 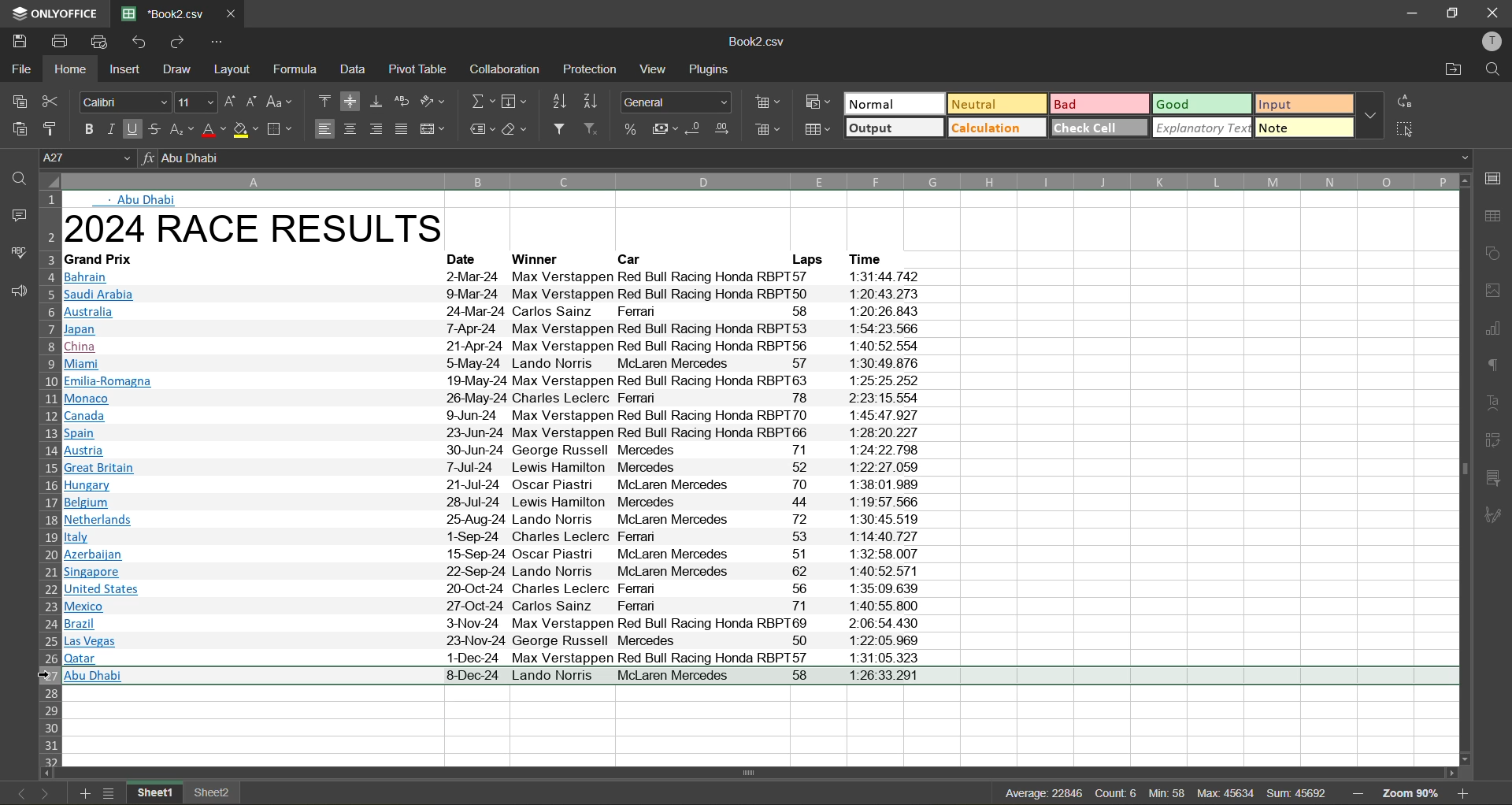 I want to click on text info, so click(x=500, y=503).